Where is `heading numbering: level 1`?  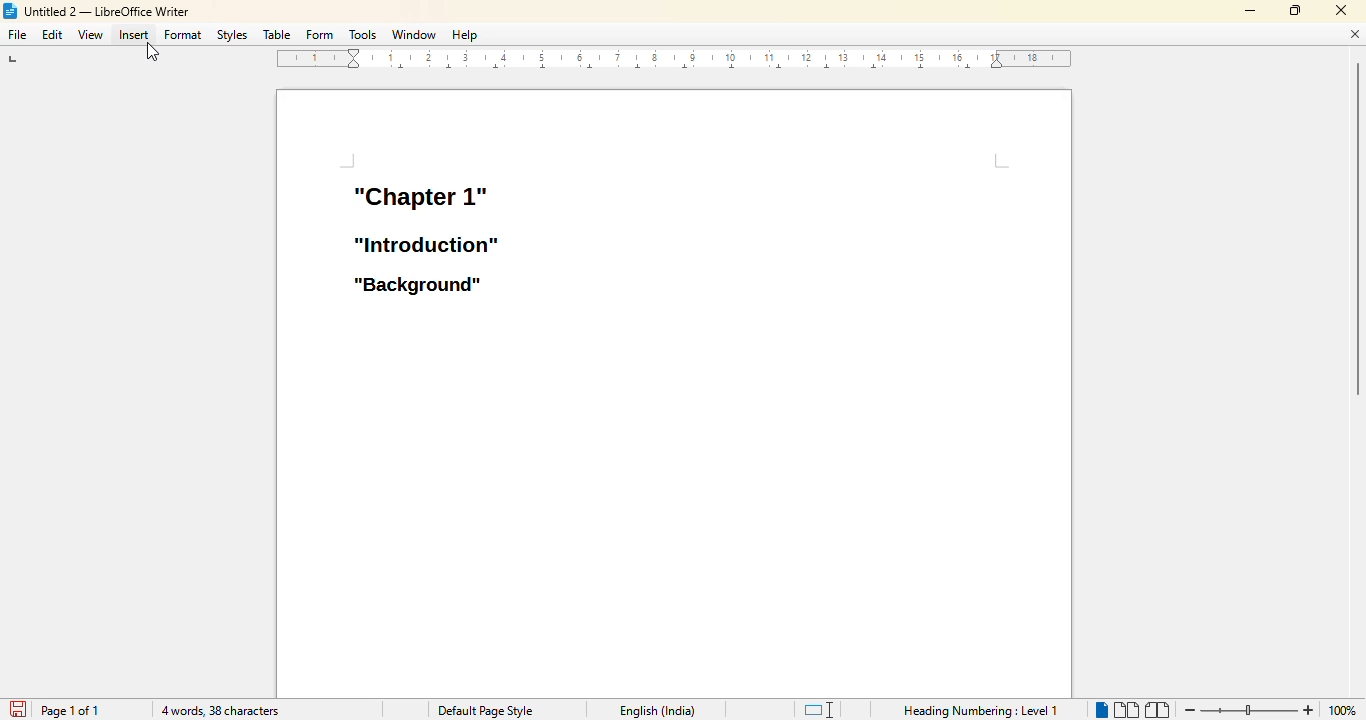 heading numbering: level 1 is located at coordinates (981, 711).